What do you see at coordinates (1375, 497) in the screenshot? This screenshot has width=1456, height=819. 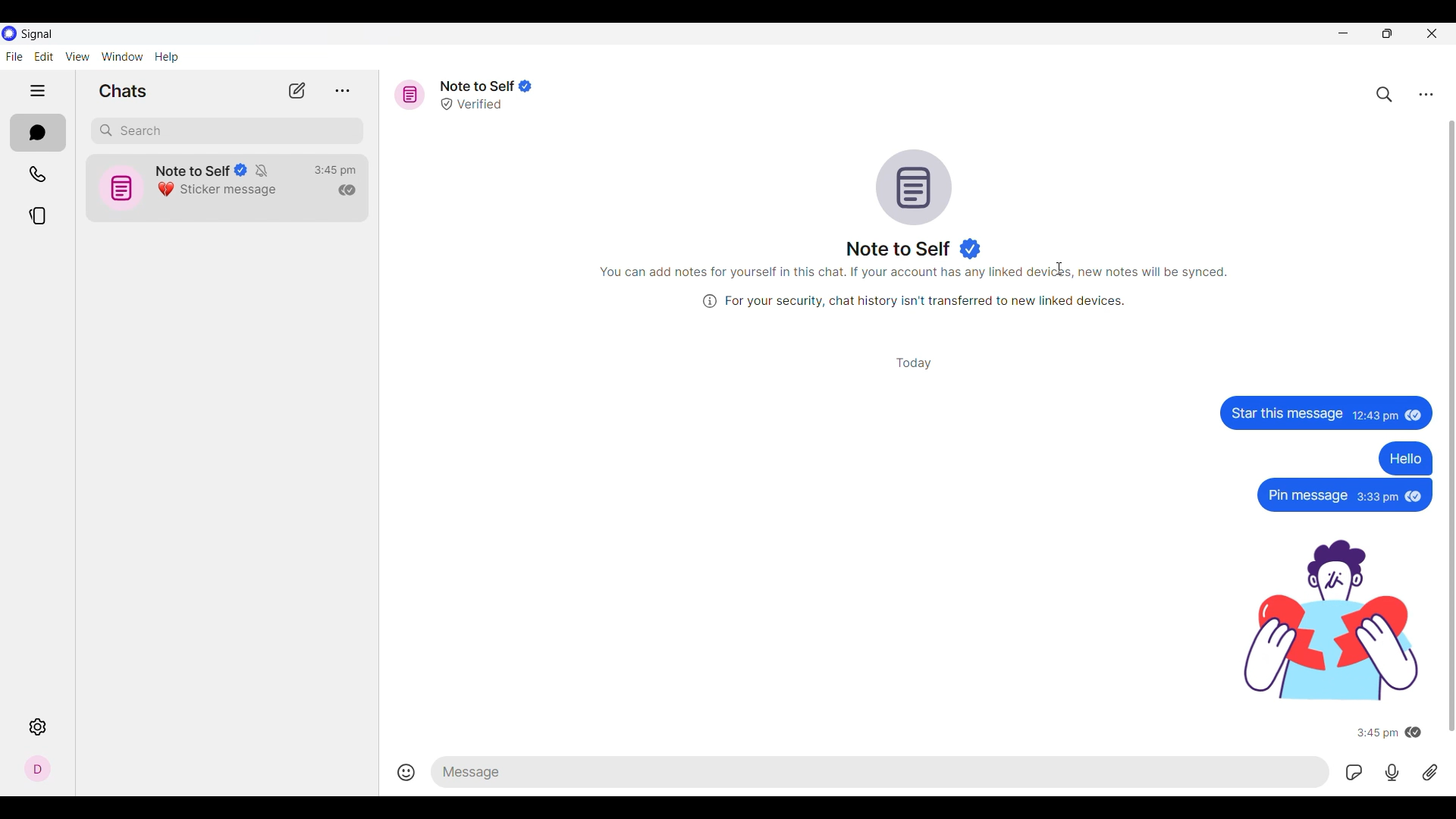 I see `3:33pm` at bounding box center [1375, 497].